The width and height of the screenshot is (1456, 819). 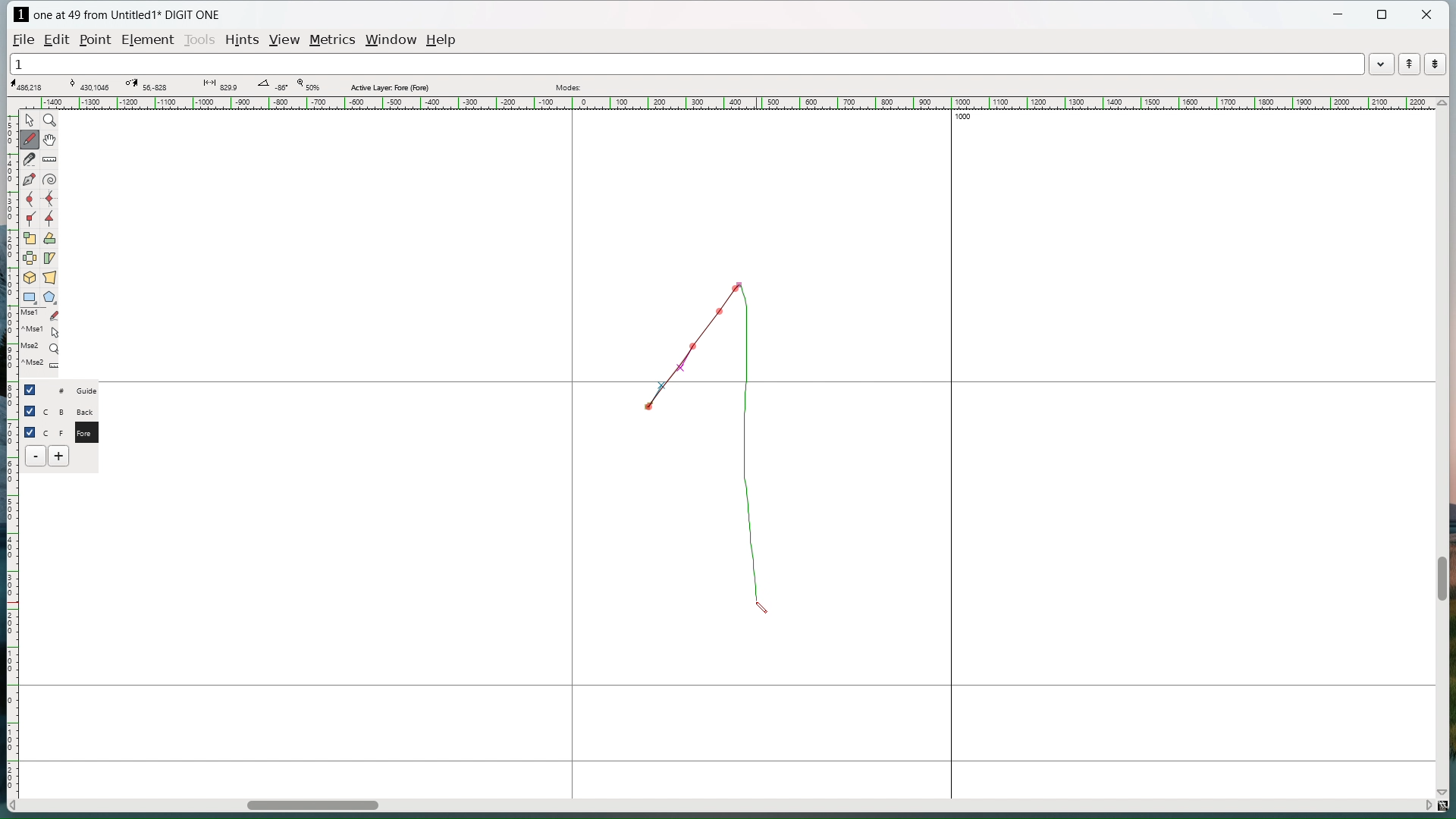 What do you see at coordinates (570, 87) in the screenshot?
I see `modes` at bounding box center [570, 87].